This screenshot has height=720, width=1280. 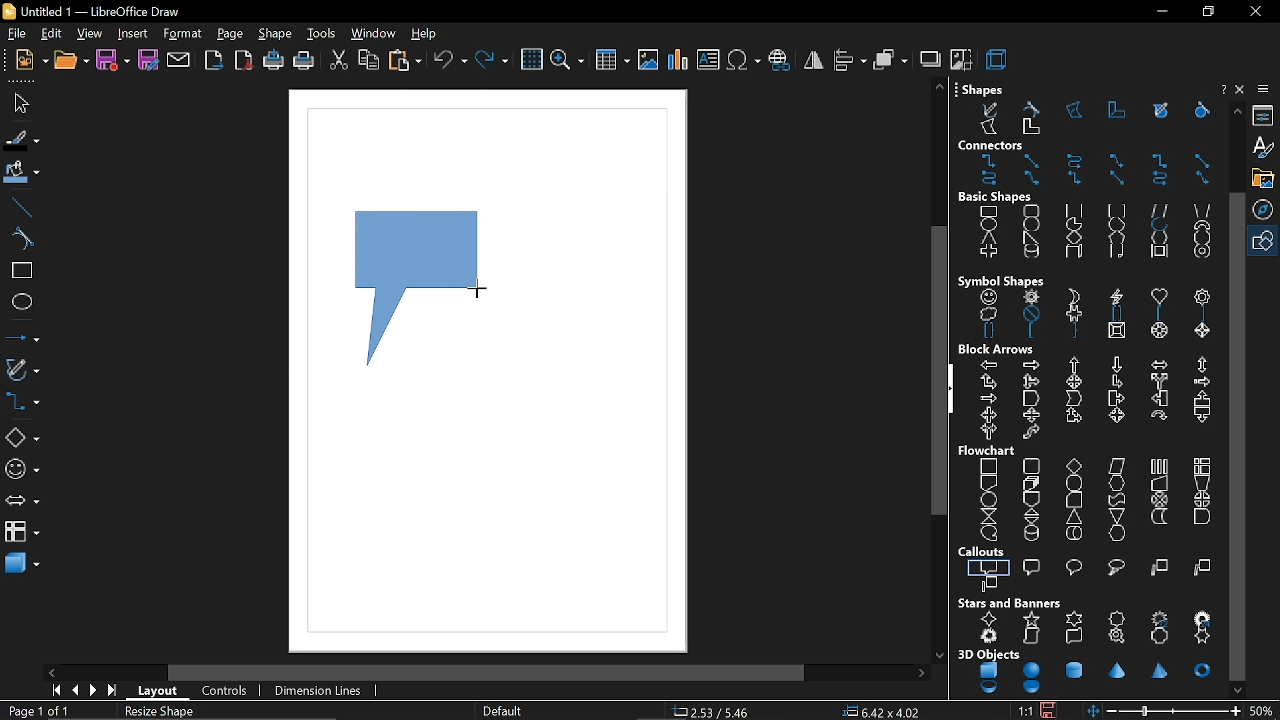 I want to click on go to last page, so click(x=110, y=693).